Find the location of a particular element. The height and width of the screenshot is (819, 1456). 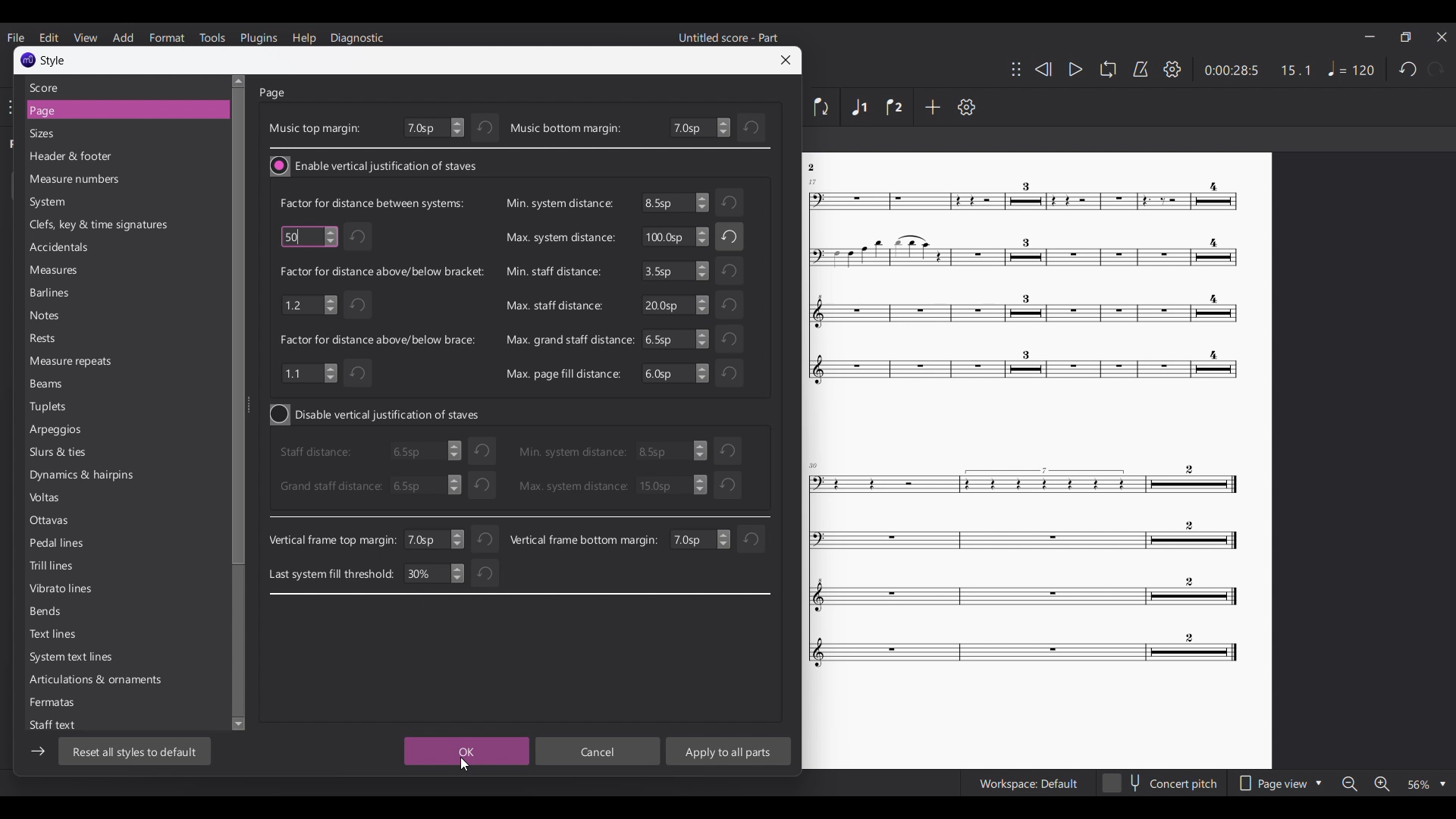

Undo change is located at coordinates (752, 127).